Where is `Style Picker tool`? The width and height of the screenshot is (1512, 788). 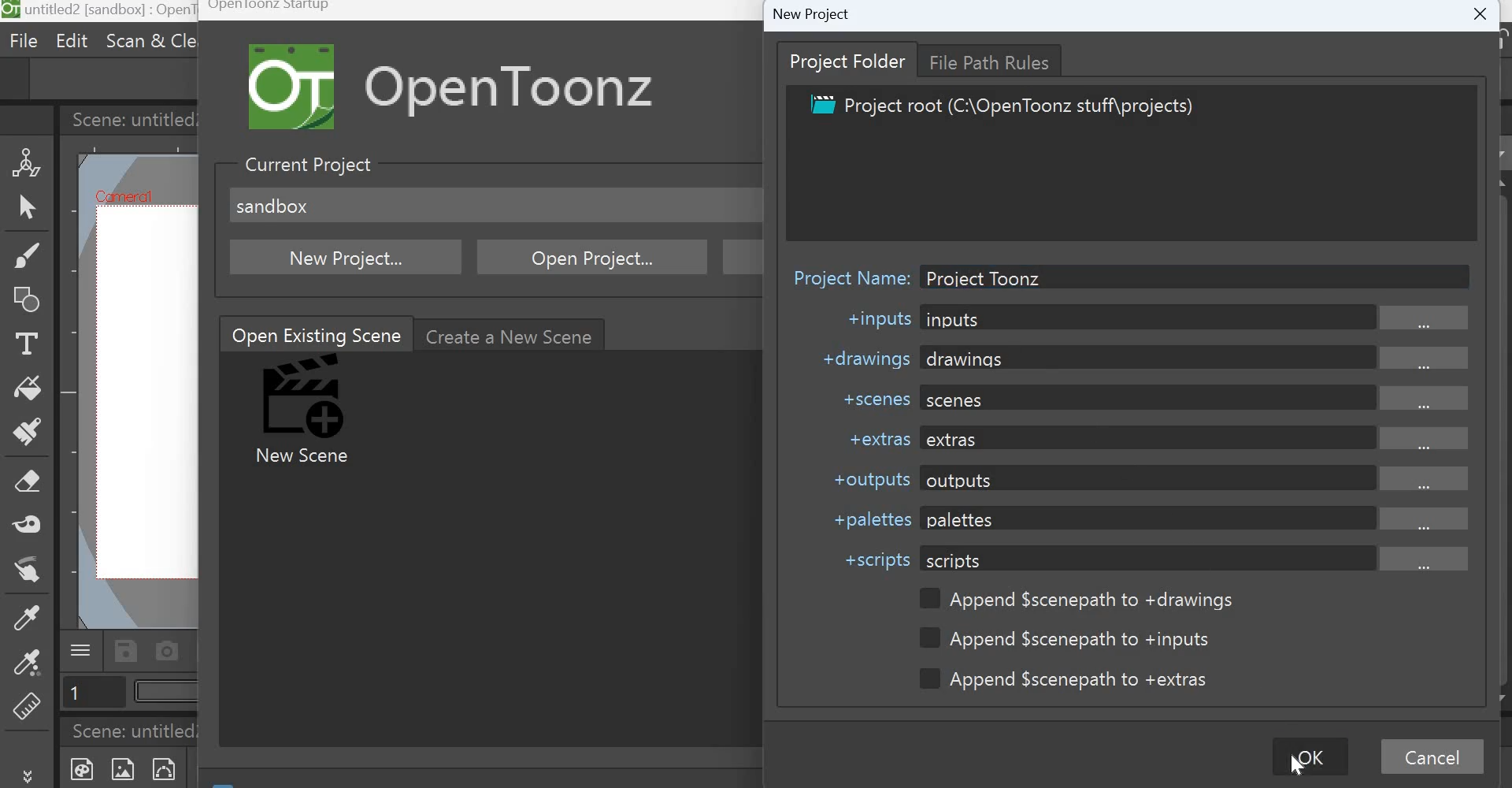
Style Picker tool is located at coordinates (24, 623).